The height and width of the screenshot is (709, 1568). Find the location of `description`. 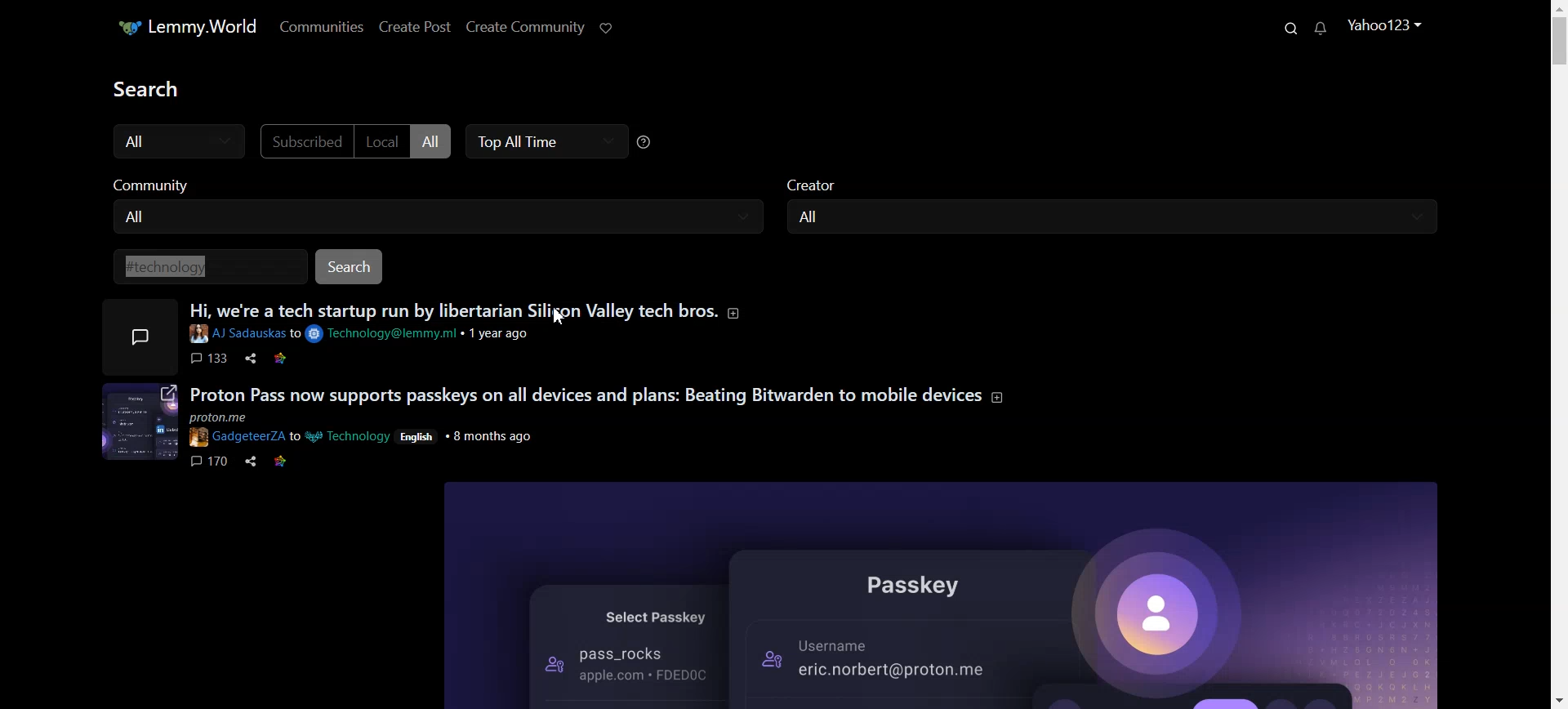

description is located at coordinates (996, 397).